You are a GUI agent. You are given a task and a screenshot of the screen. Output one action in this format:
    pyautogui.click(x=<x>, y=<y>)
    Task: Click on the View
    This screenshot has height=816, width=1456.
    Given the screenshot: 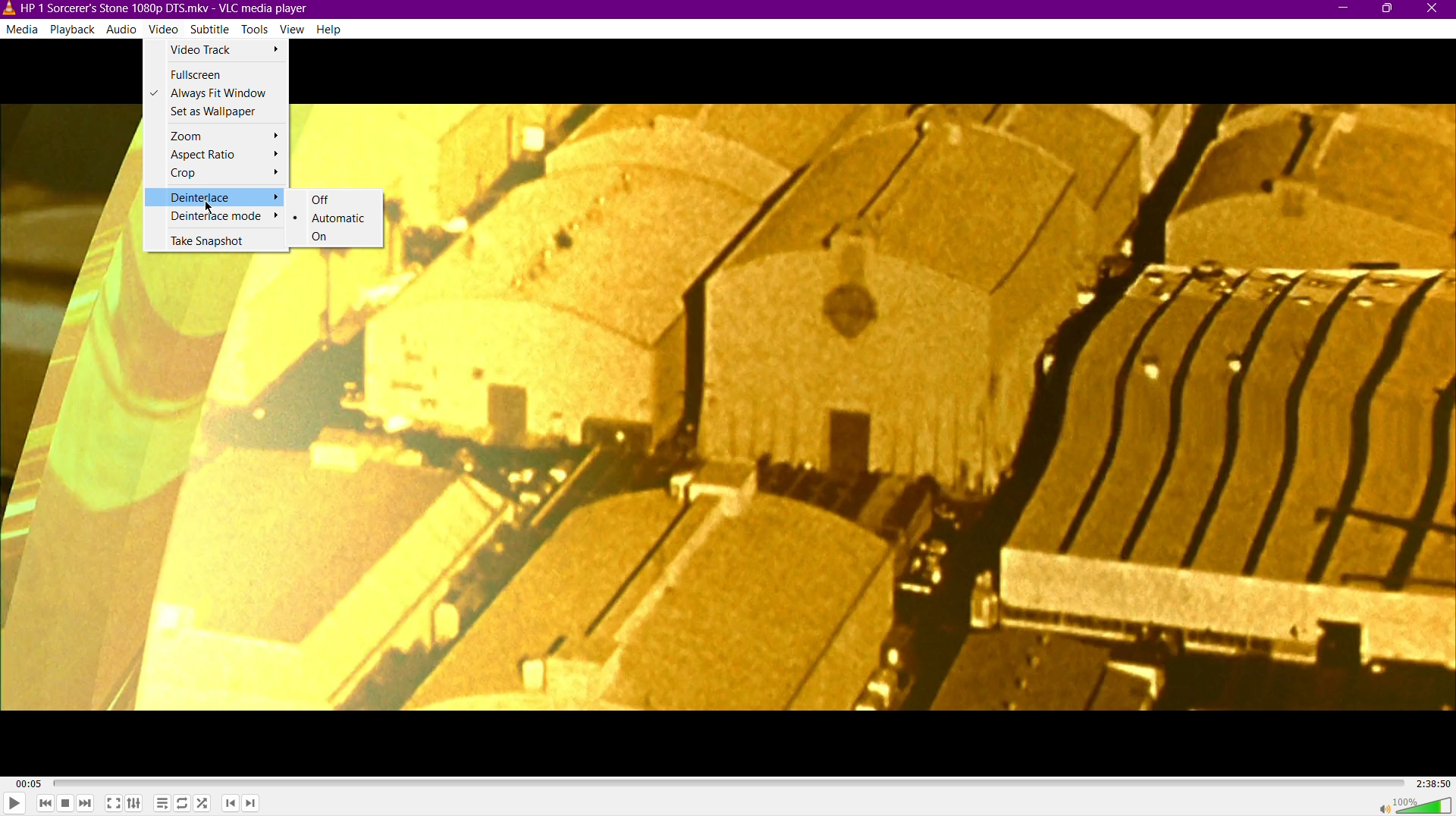 What is the action you would take?
    pyautogui.click(x=292, y=29)
    